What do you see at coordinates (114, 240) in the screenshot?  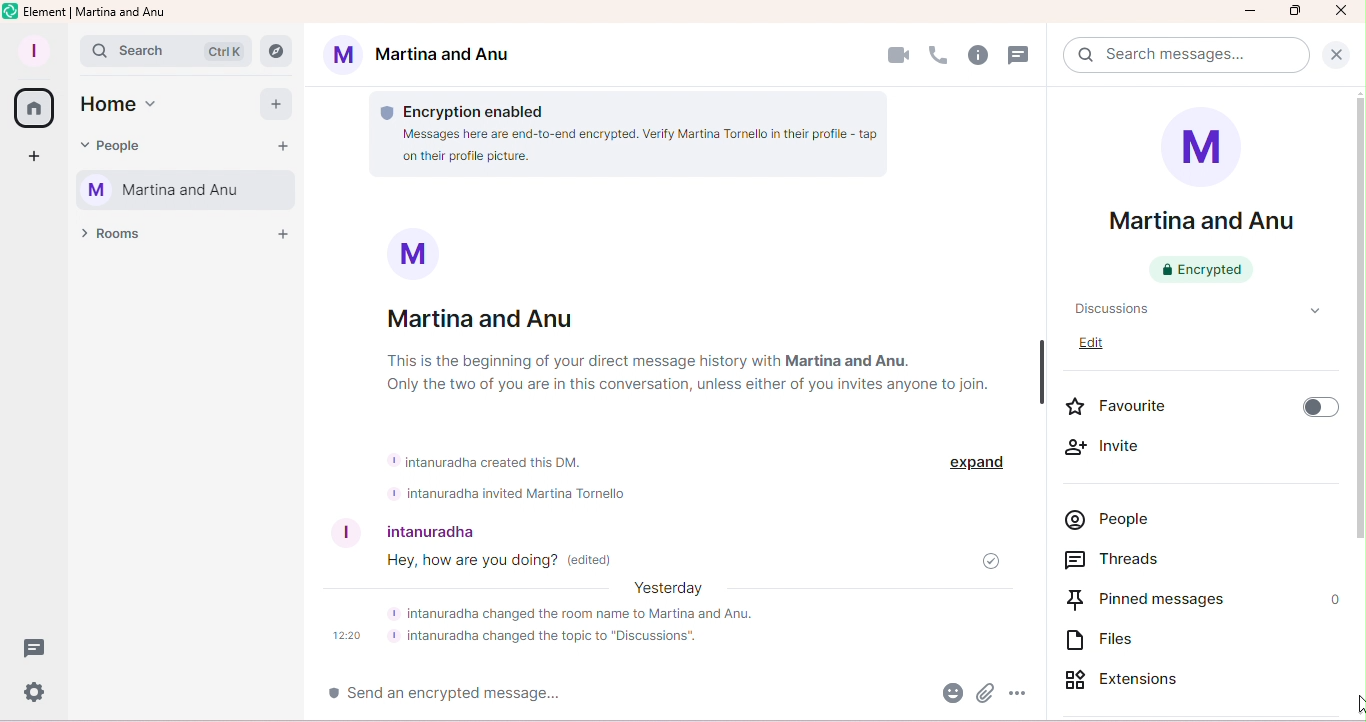 I see `Rooms` at bounding box center [114, 240].